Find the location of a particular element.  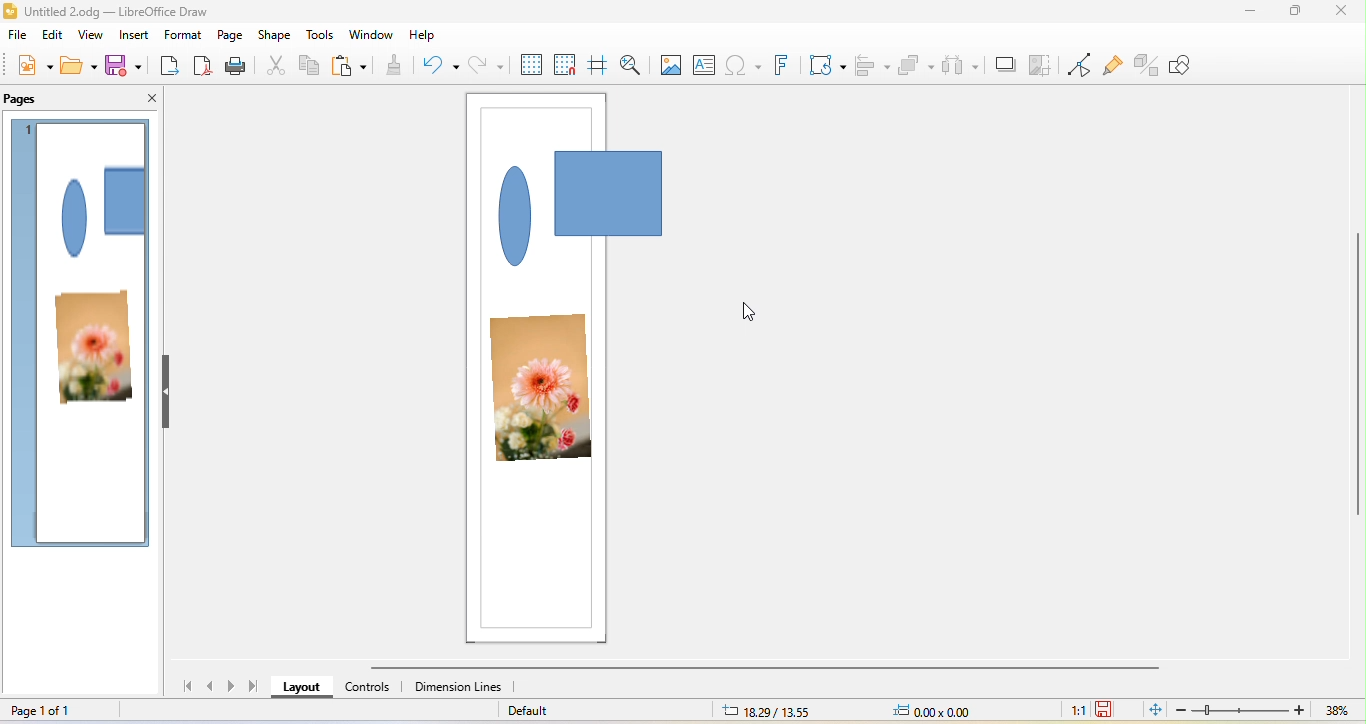

new is located at coordinates (27, 68).